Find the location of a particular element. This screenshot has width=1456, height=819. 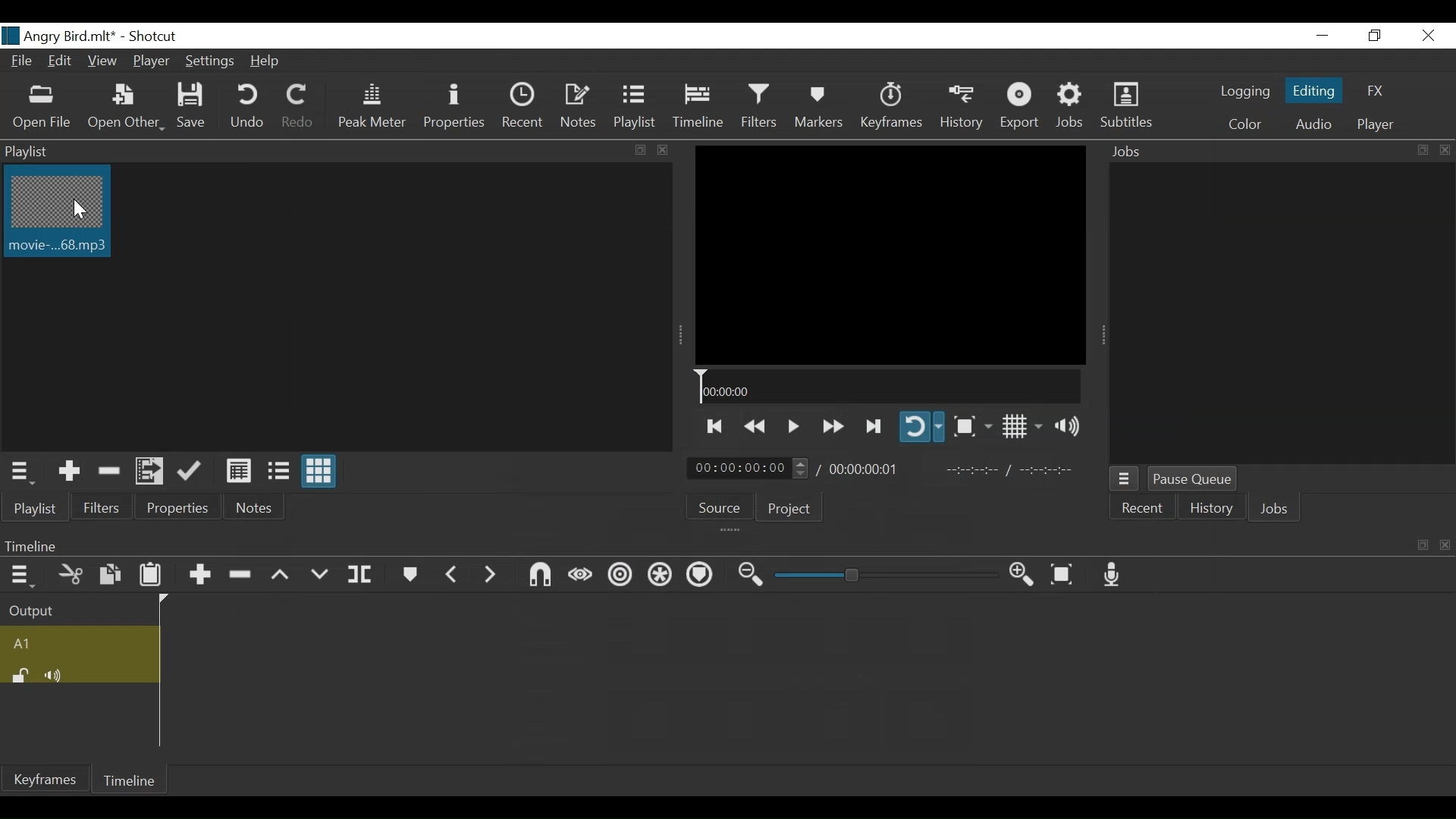

Show volume control is located at coordinates (1071, 428).